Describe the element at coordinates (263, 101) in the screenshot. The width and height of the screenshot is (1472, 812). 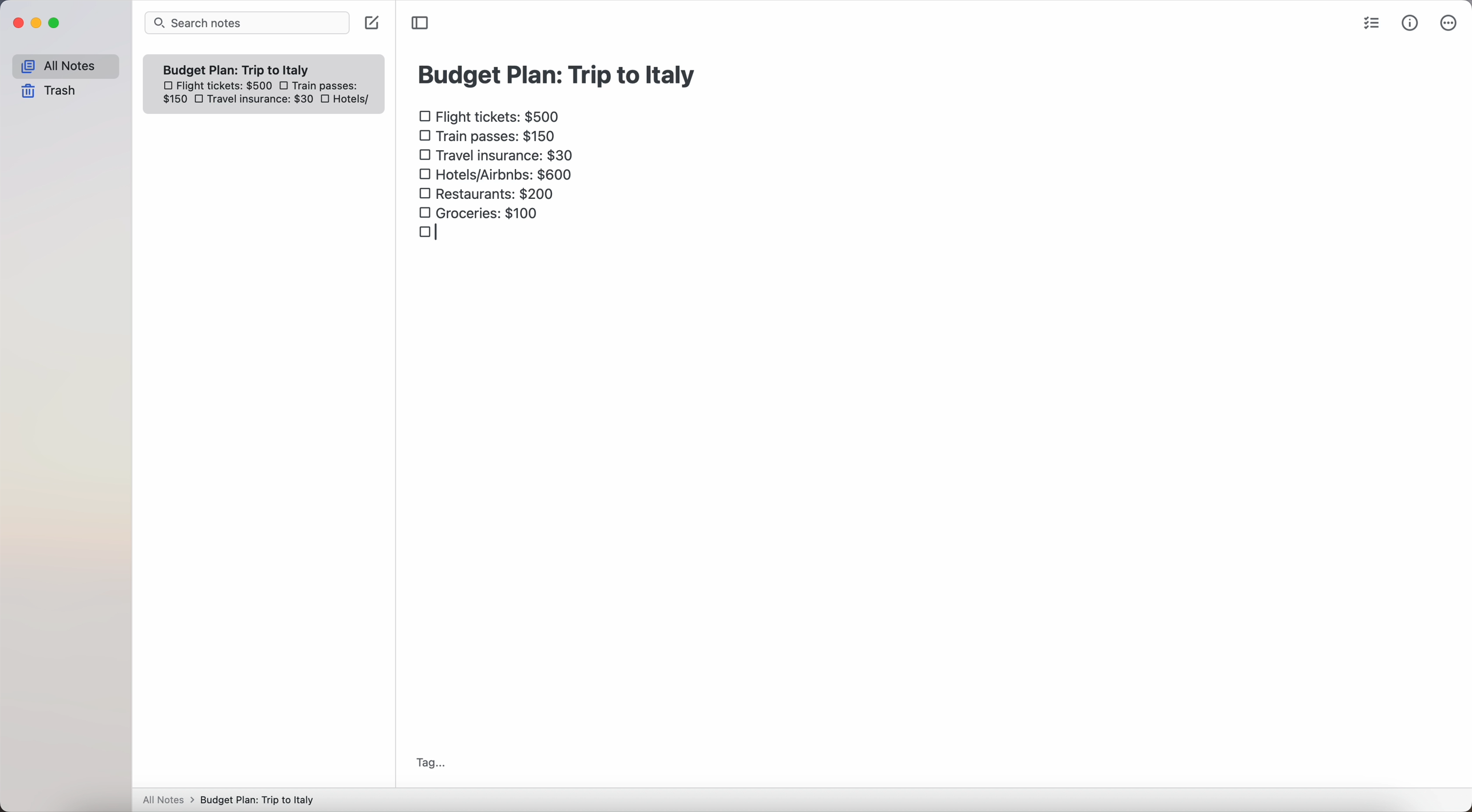
I see `travel insurance: $30` at that location.